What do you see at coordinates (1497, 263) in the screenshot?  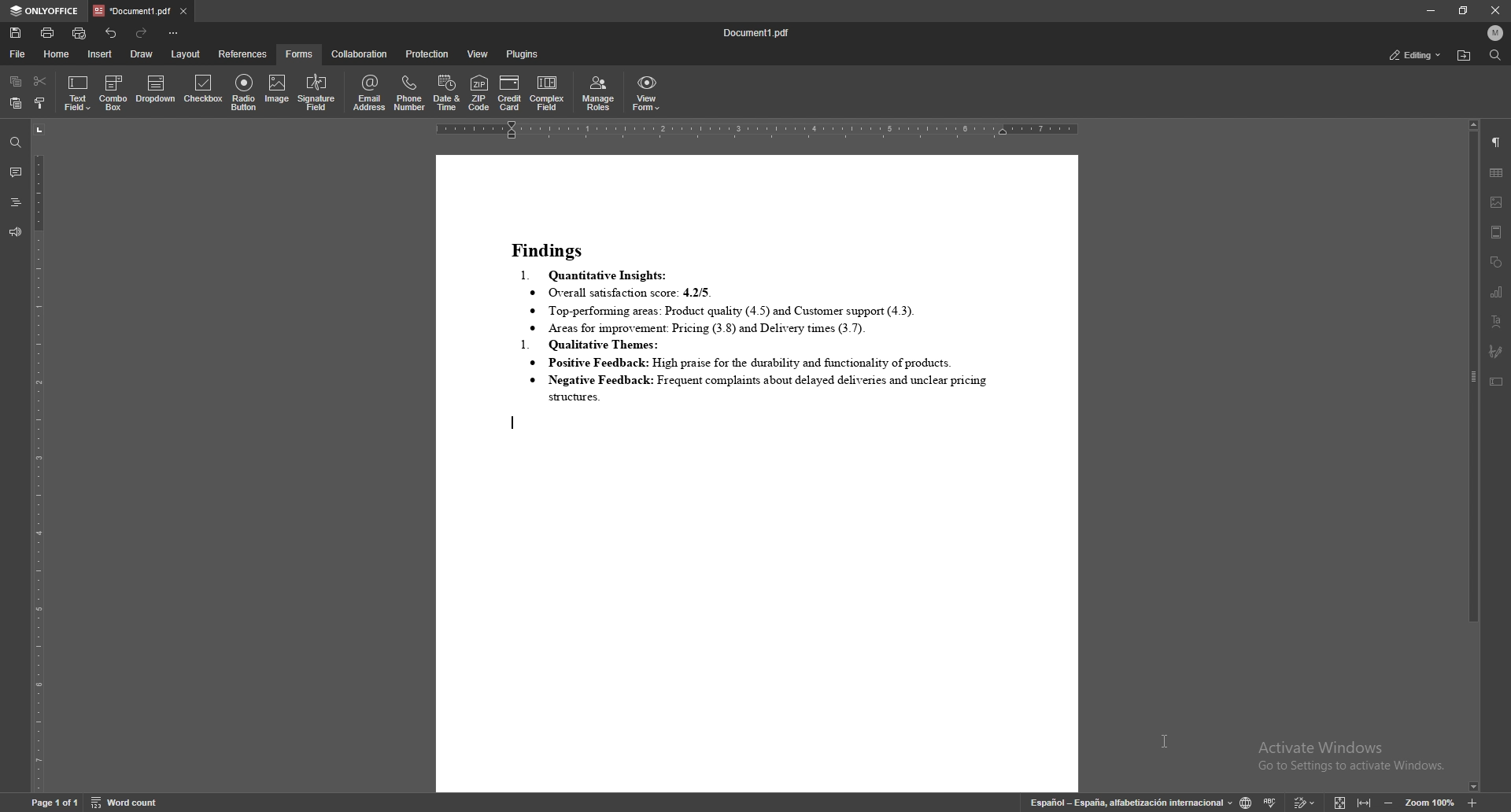 I see `shapes` at bounding box center [1497, 263].